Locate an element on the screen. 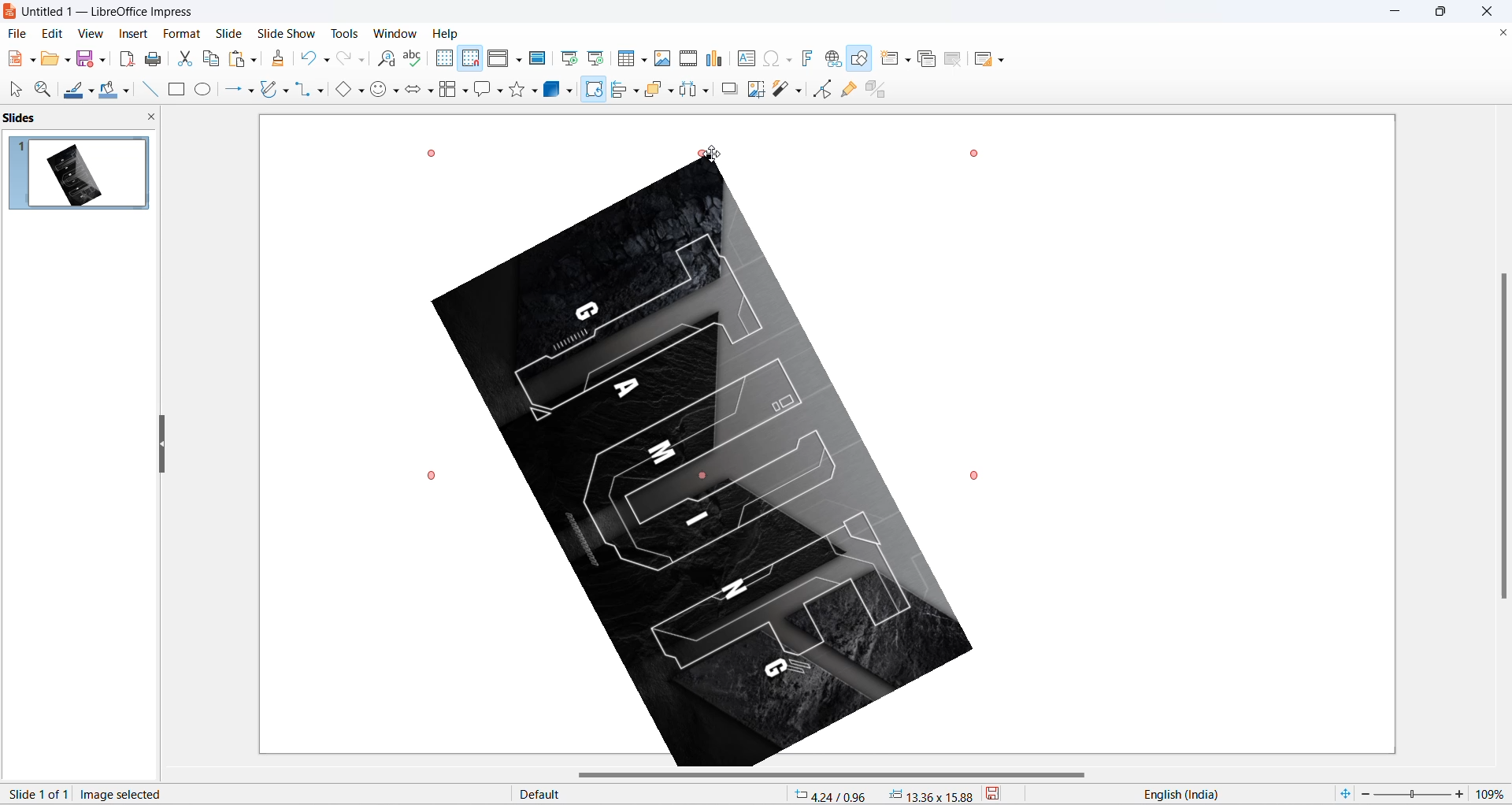 The height and width of the screenshot is (805, 1512). callout shape is located at coordinates (481, 91).